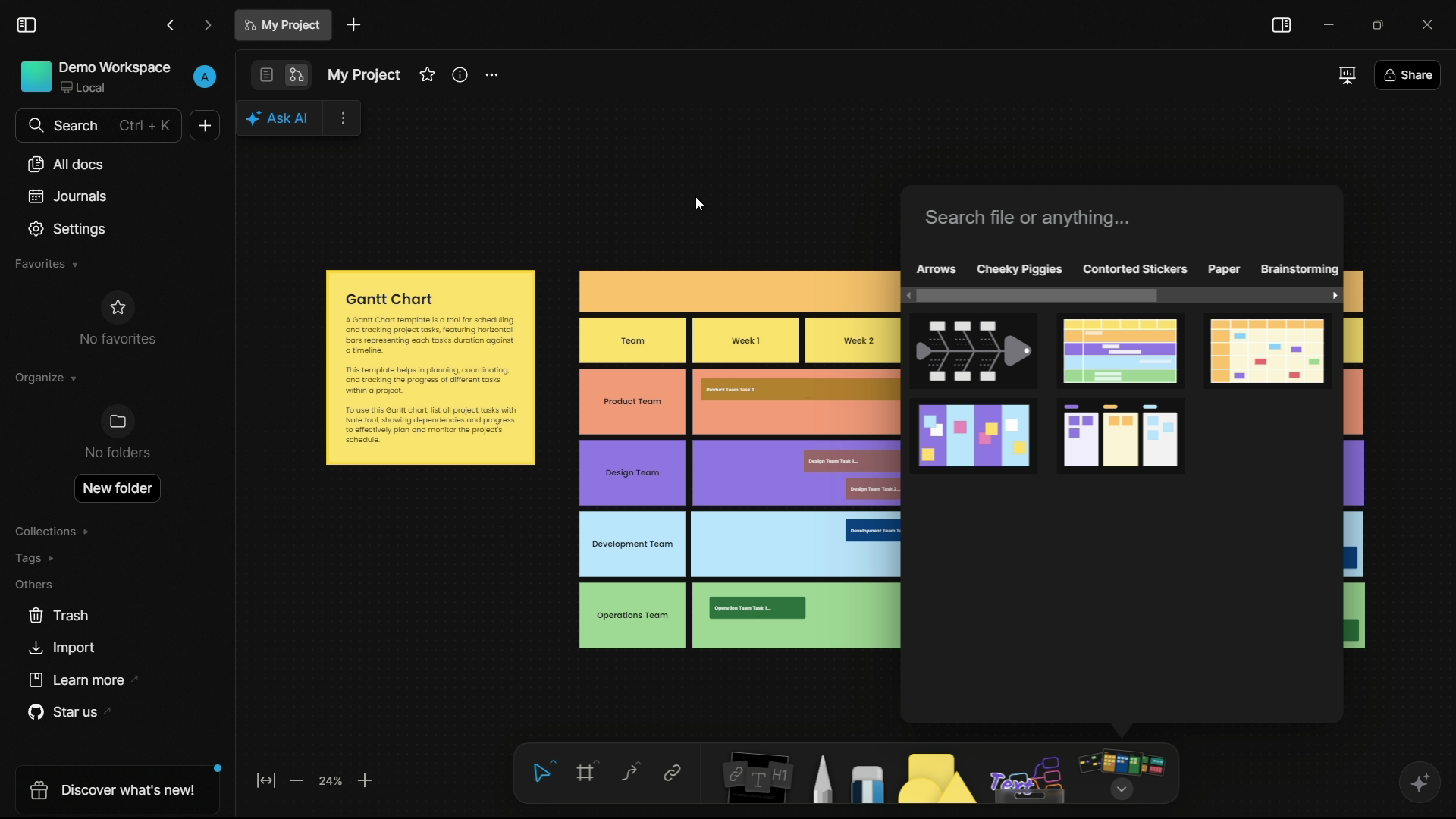  Describe the element at coordinates (68, 229) in the screenshot. I see `settings` at that location.